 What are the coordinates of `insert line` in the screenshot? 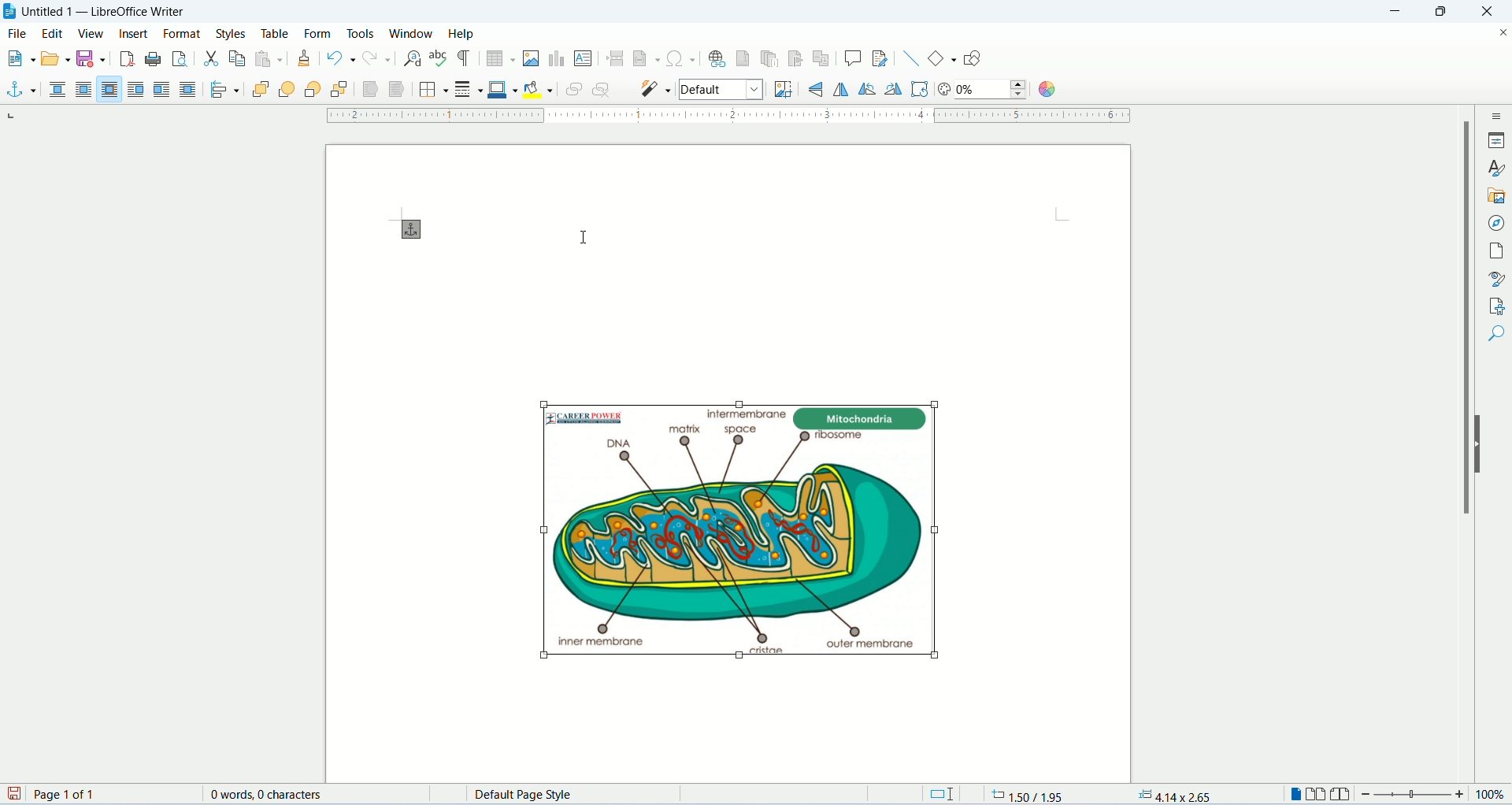 It's located at (911, 58).